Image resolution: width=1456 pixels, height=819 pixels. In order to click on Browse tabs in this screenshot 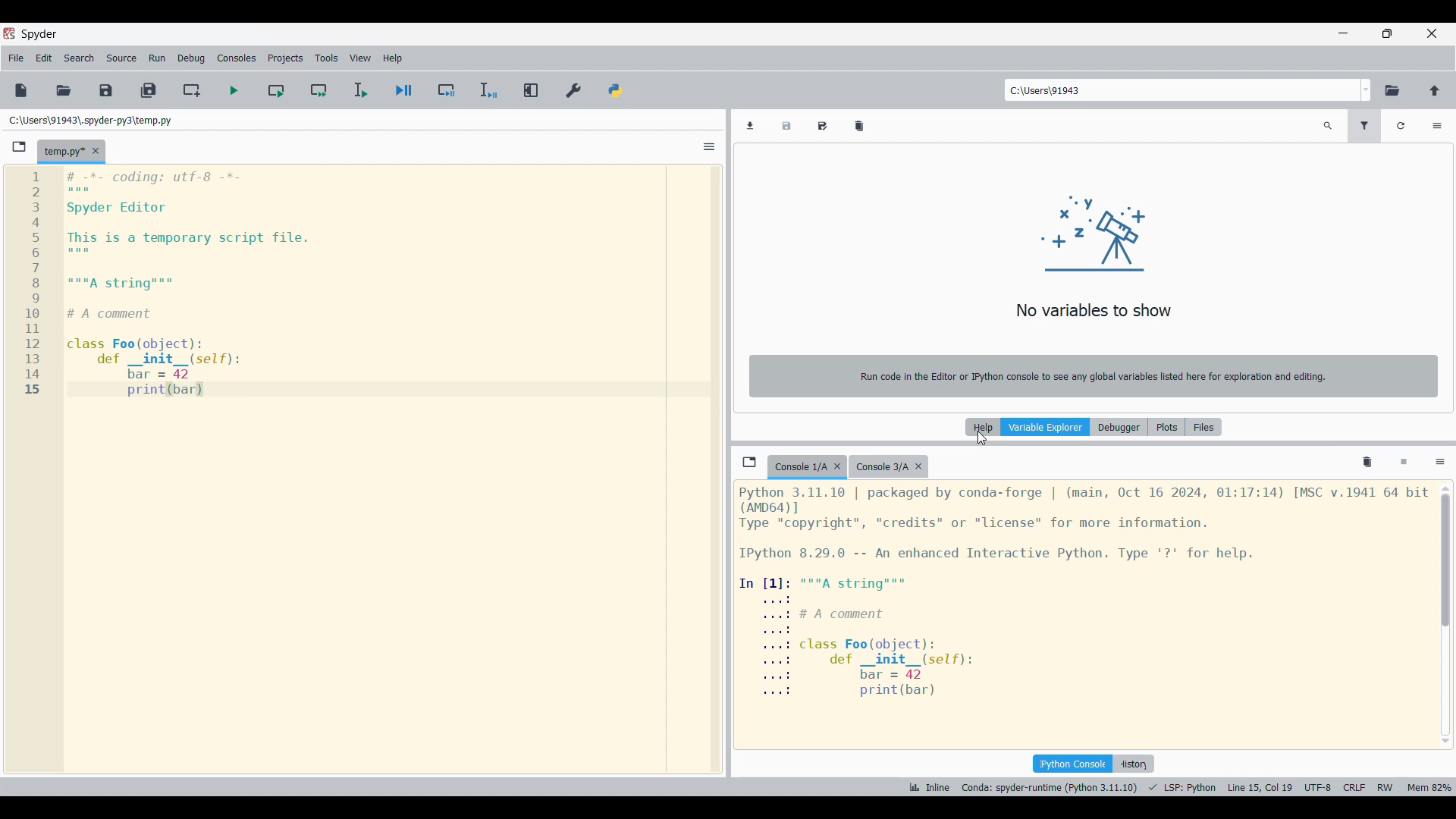, I will do `click(20, 147)`.